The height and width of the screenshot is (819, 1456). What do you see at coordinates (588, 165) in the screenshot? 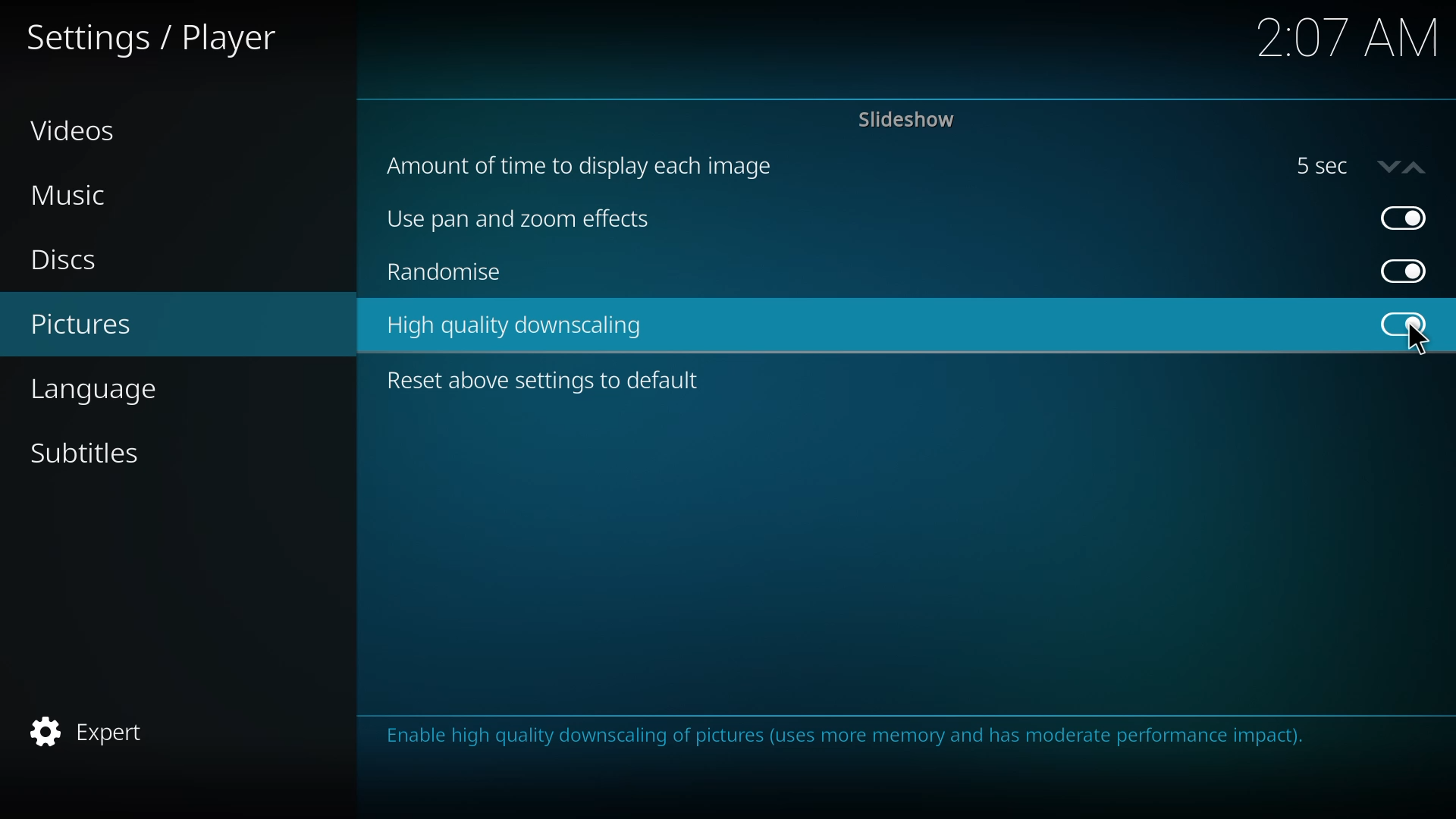
I see `amount of time to display each image` at bounding box center [588, 165].